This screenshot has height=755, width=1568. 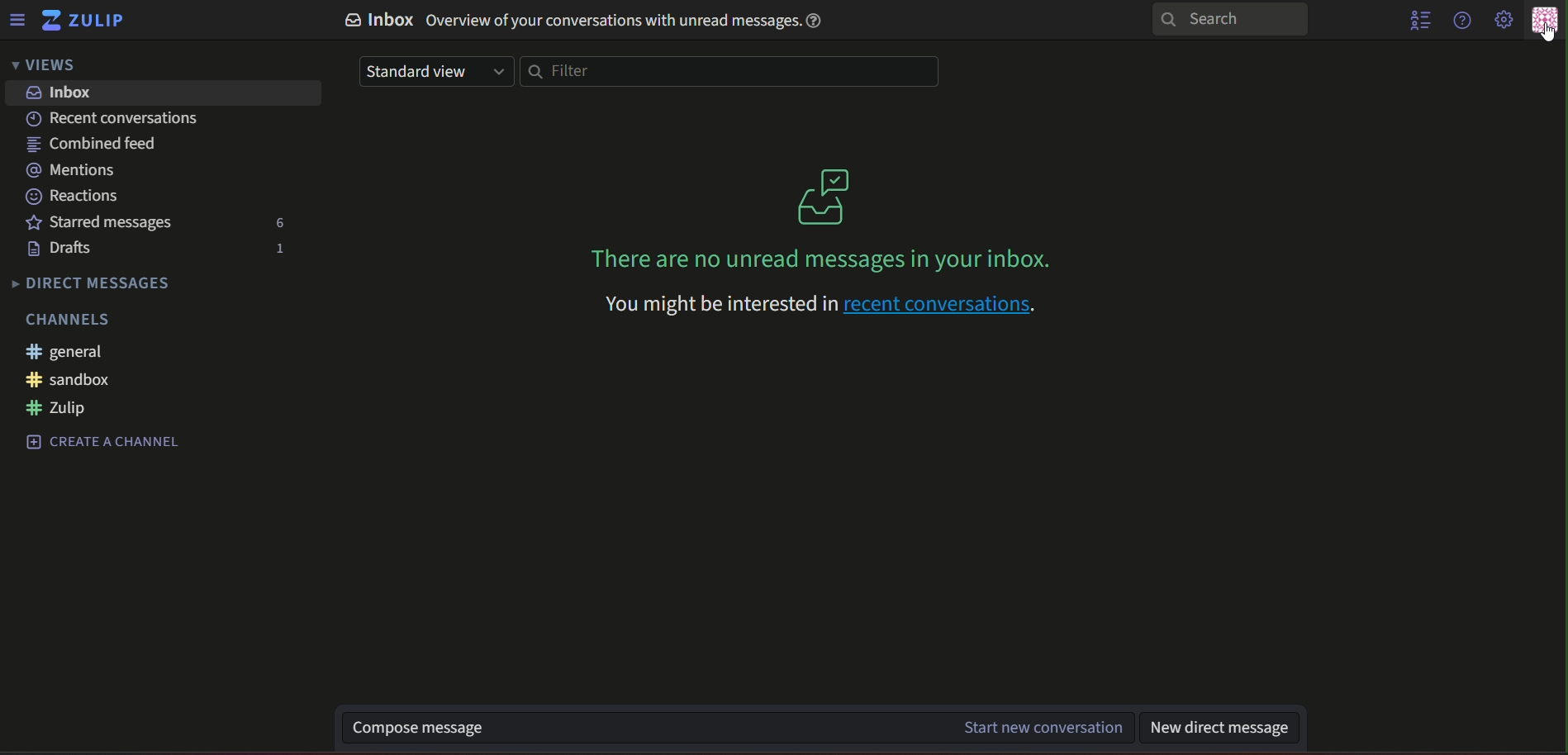 I want to click on number, so click(x=283, y=222).